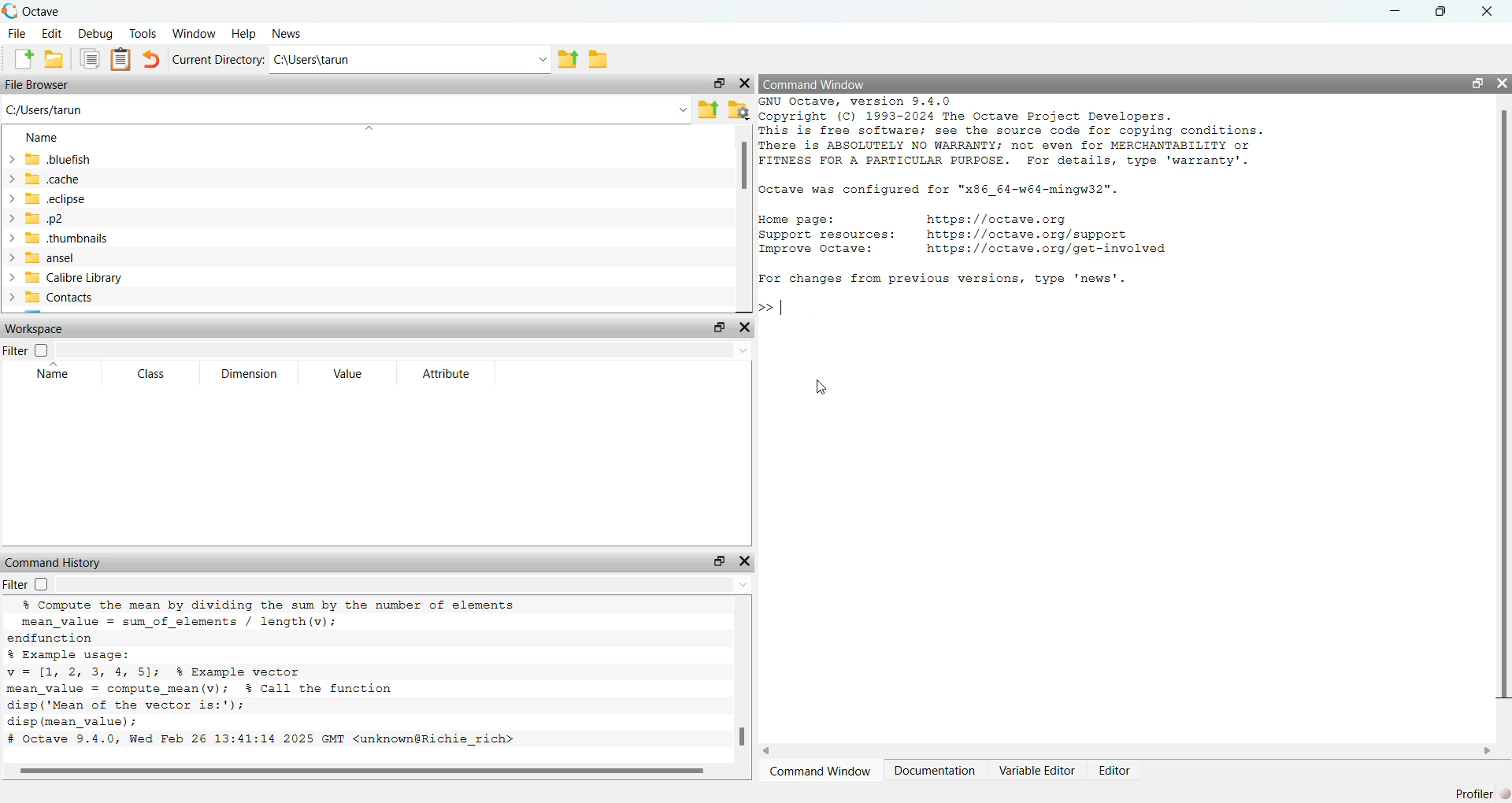  I want to click on Documentation, so click(936, 770).